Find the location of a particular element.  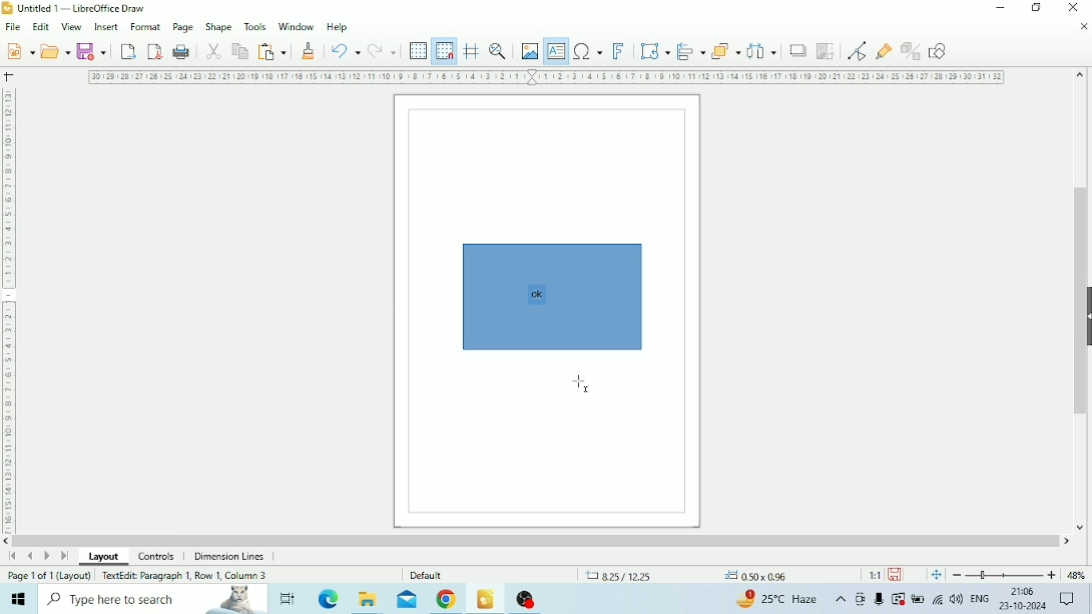

Type here to search is located at coordinates (152, 600).